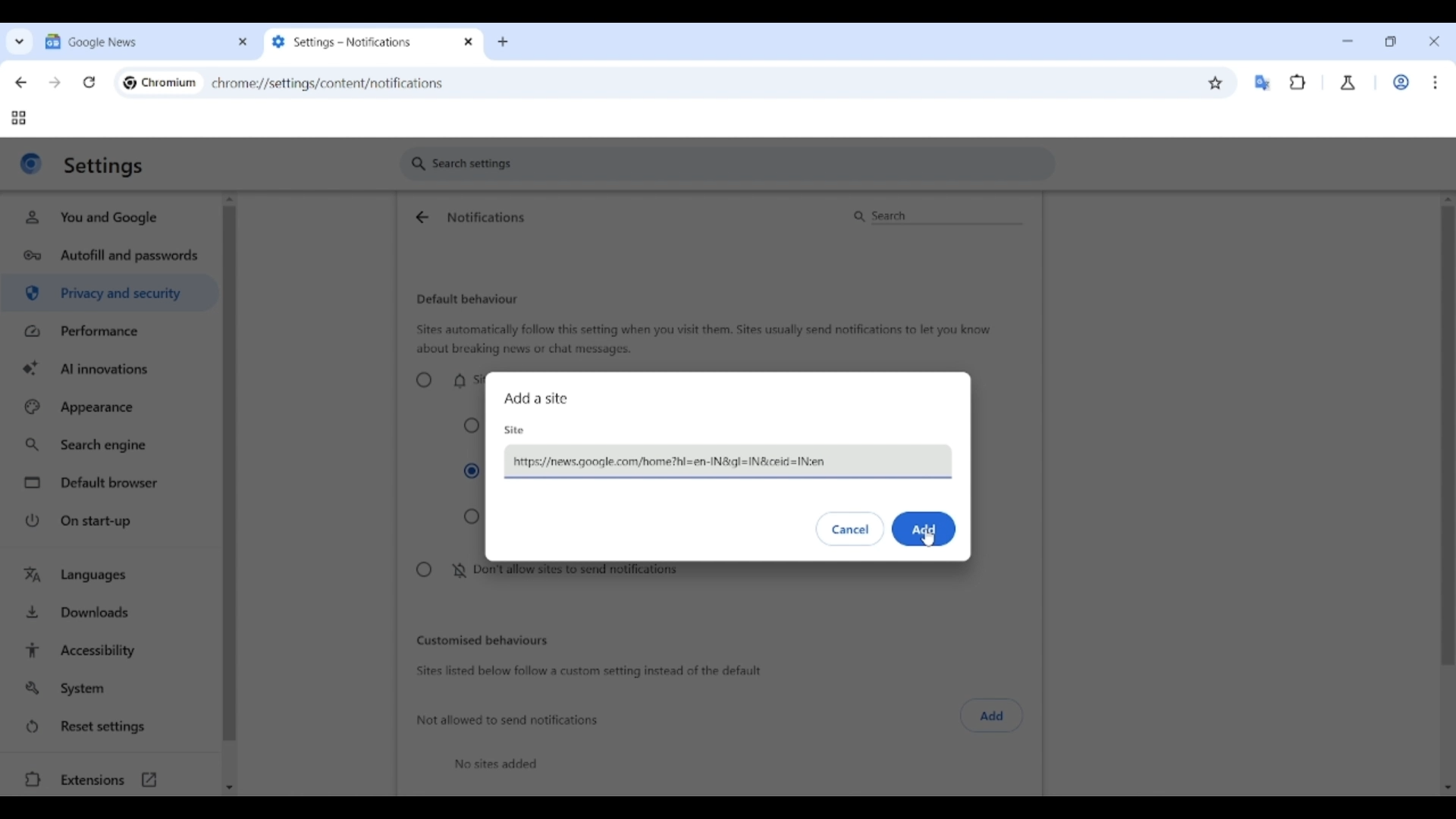  What do you see at coordinates (545, 573) in the screenshot?
I see `Don't allow sites to send notifications` at bounding box center [545, 573].